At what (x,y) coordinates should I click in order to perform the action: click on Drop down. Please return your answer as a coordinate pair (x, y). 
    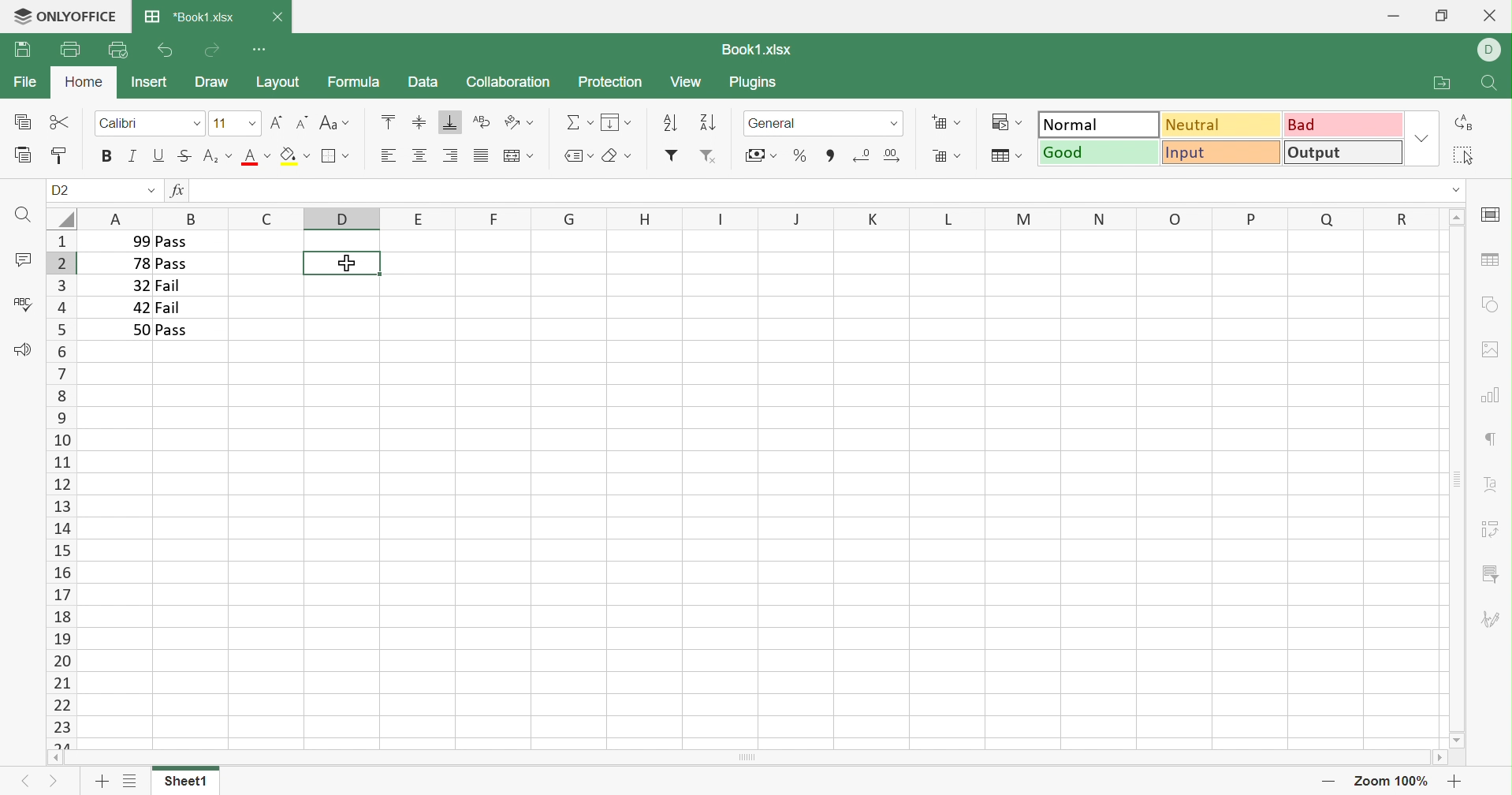
    Looking at the image, I should click on (151, 192).